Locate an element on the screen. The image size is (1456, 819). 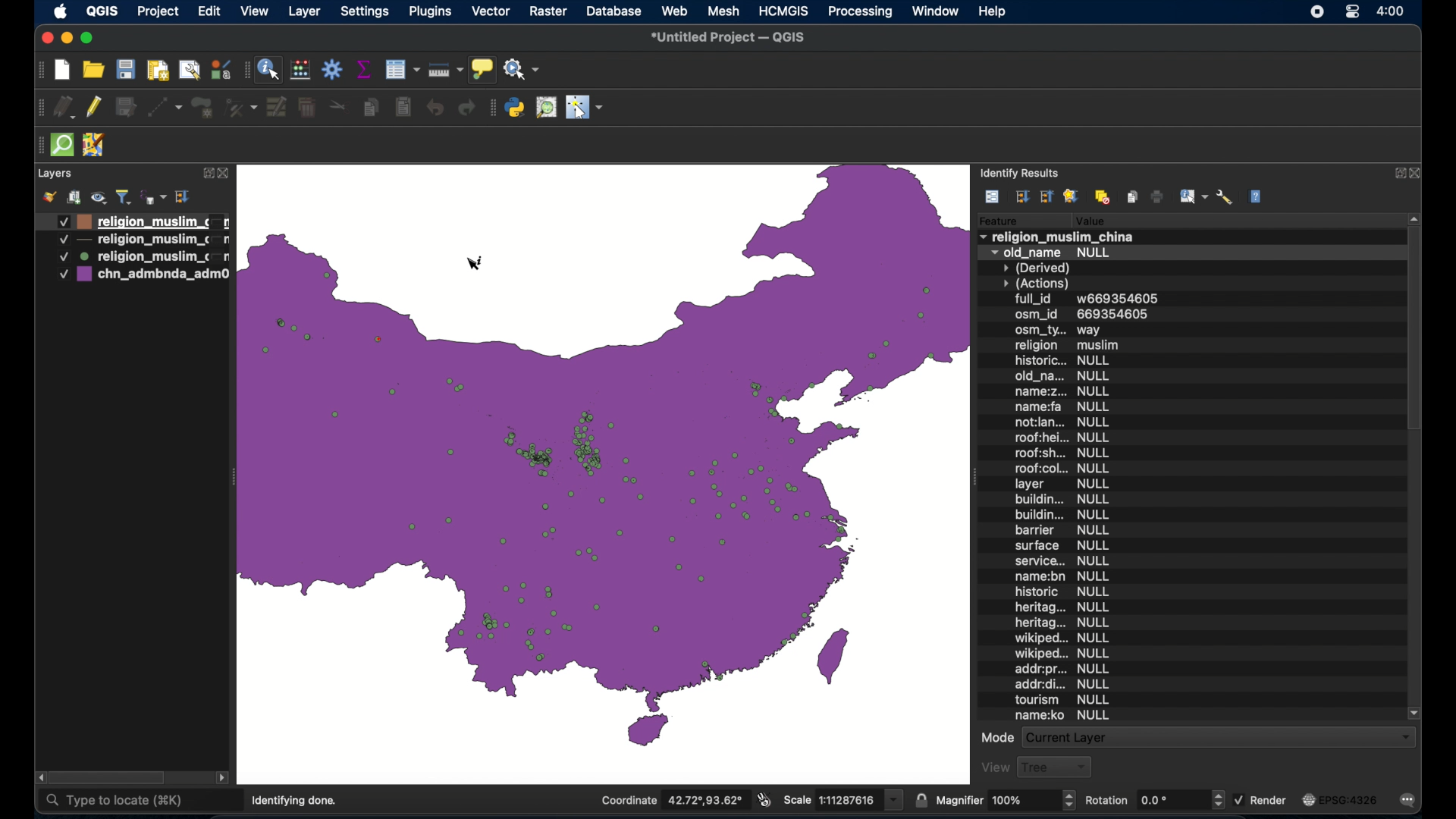
favorites is located at coordinates (1069, 196).